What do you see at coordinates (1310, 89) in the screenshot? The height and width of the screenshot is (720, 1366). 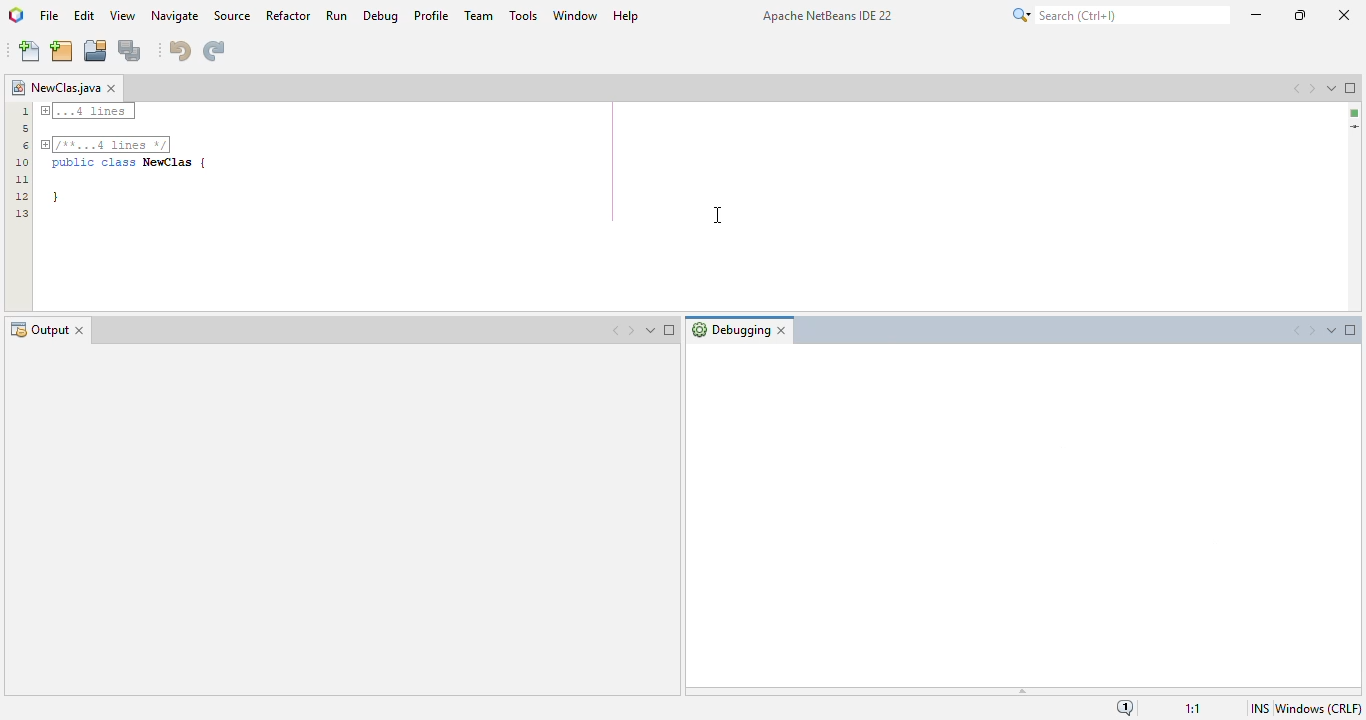 I see `scroll documents right` at bounding box center [1310, 89].